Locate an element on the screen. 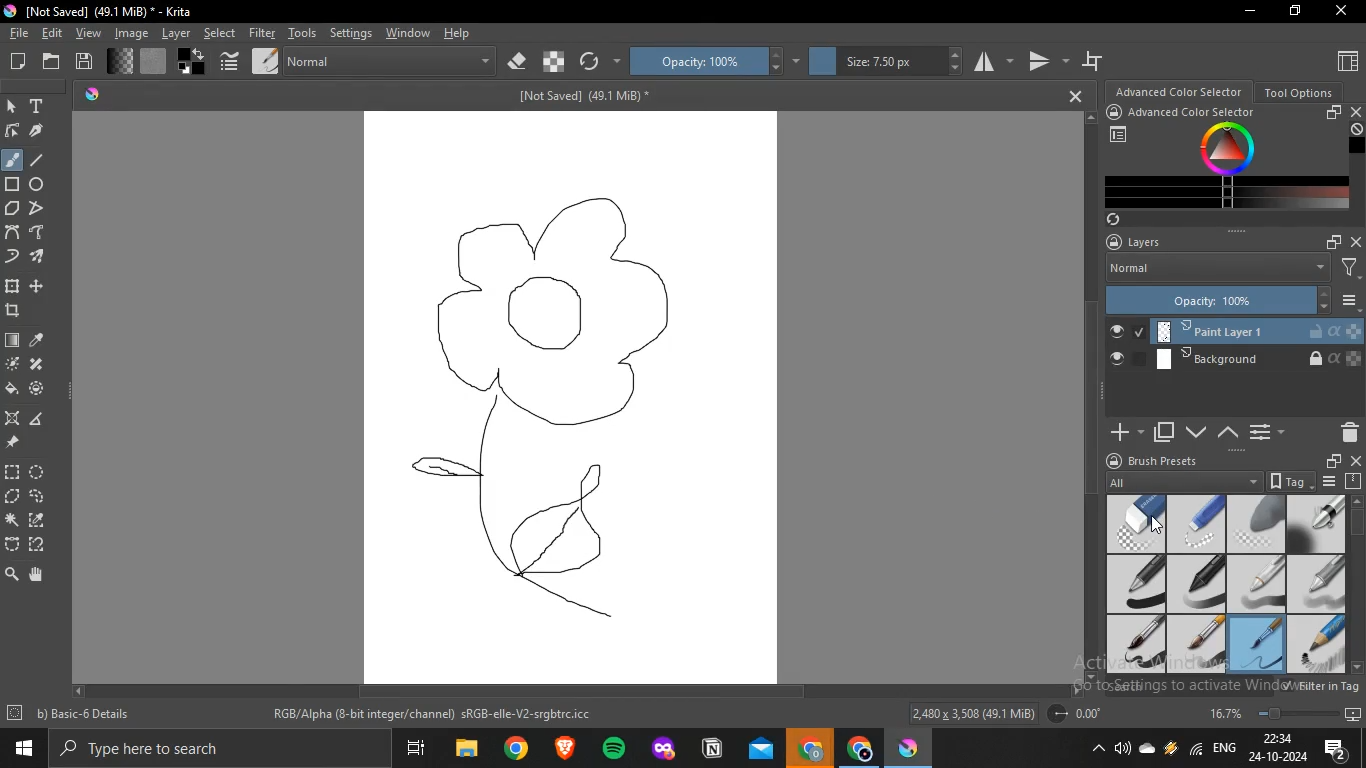 The width and height of the screenshot is (1366, 768). tag is located at coordinates (1288, 481).